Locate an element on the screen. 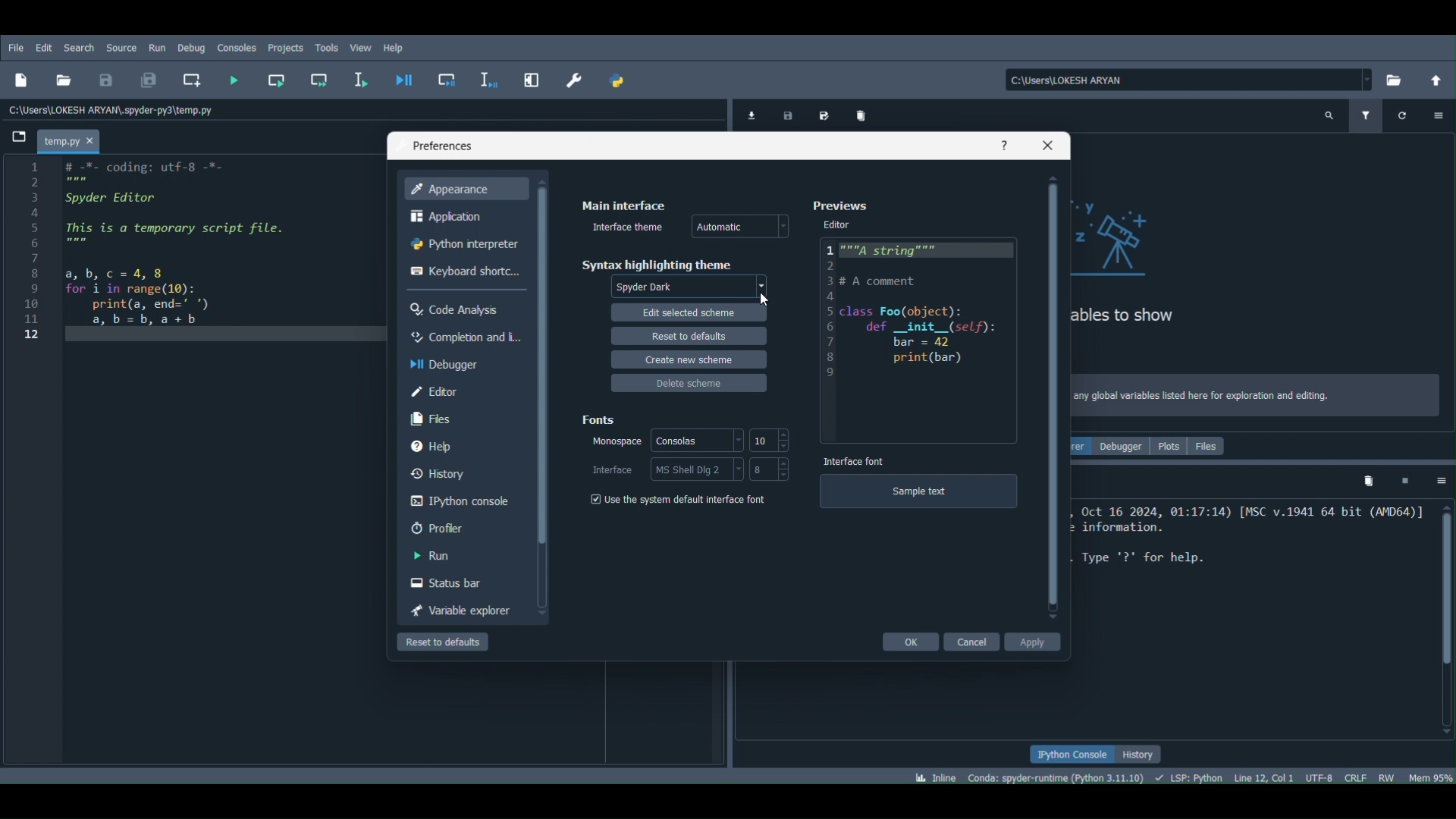 The width and height of the screenshot is (1456, 819). Profiler is located at coordinates (467, 525).